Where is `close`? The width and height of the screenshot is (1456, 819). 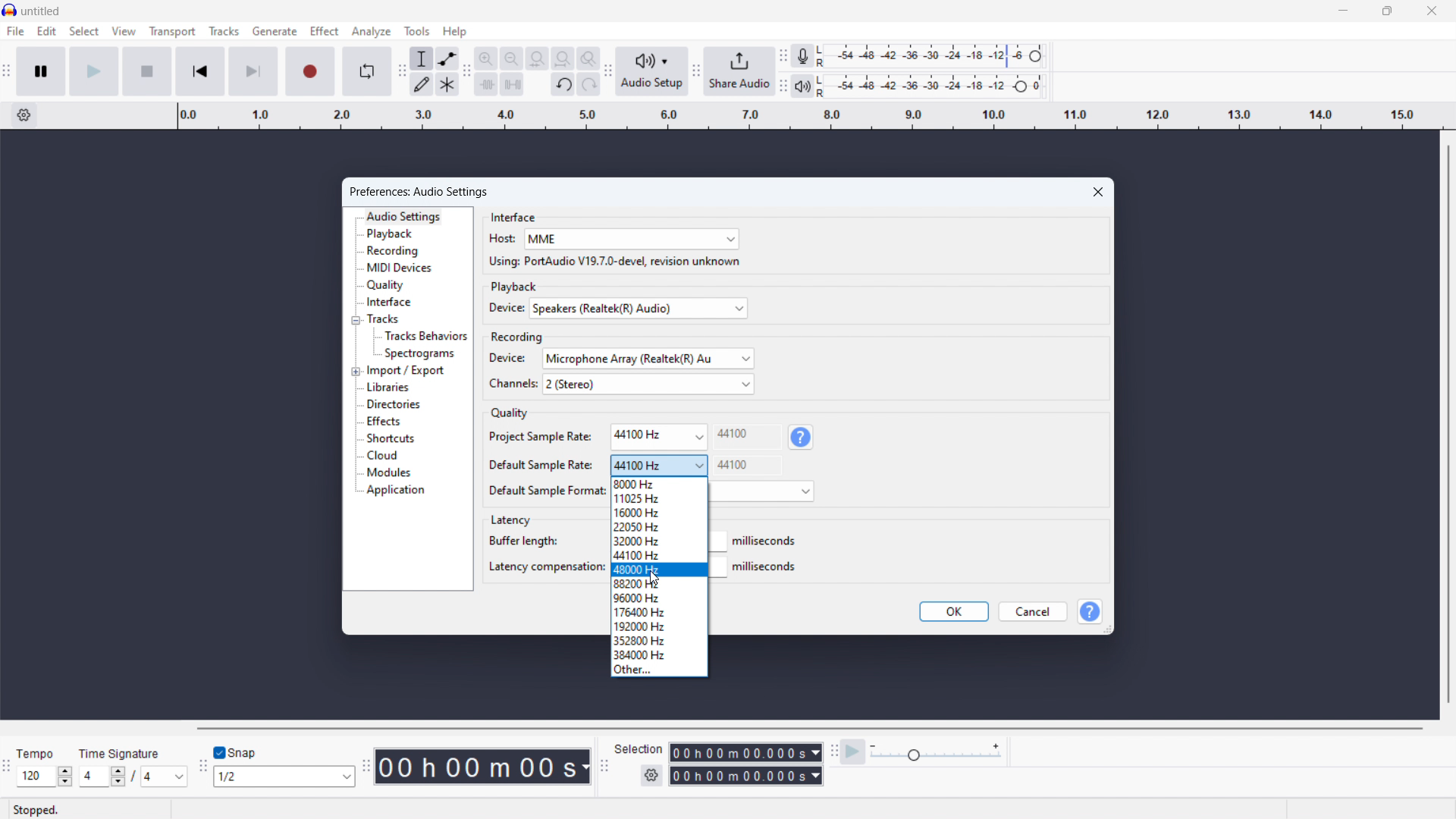 close is located at coordinates (1432, 10).